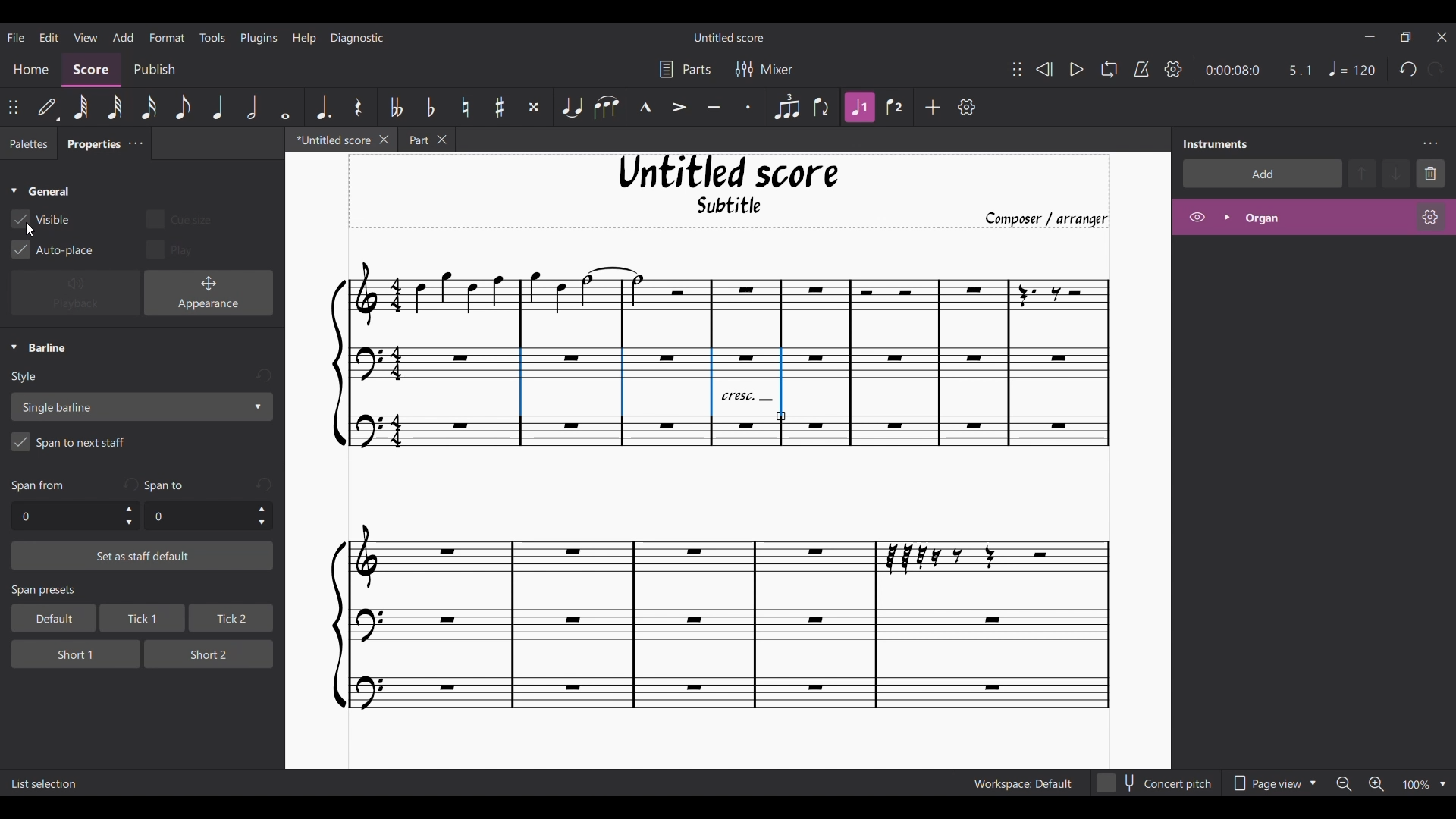 The width and height of the screenshot is (1456, 819). Describe the element at coordinates (29, 230) in the screenshot. I see `Cursor clicking on Toggle for Visible` at that location.